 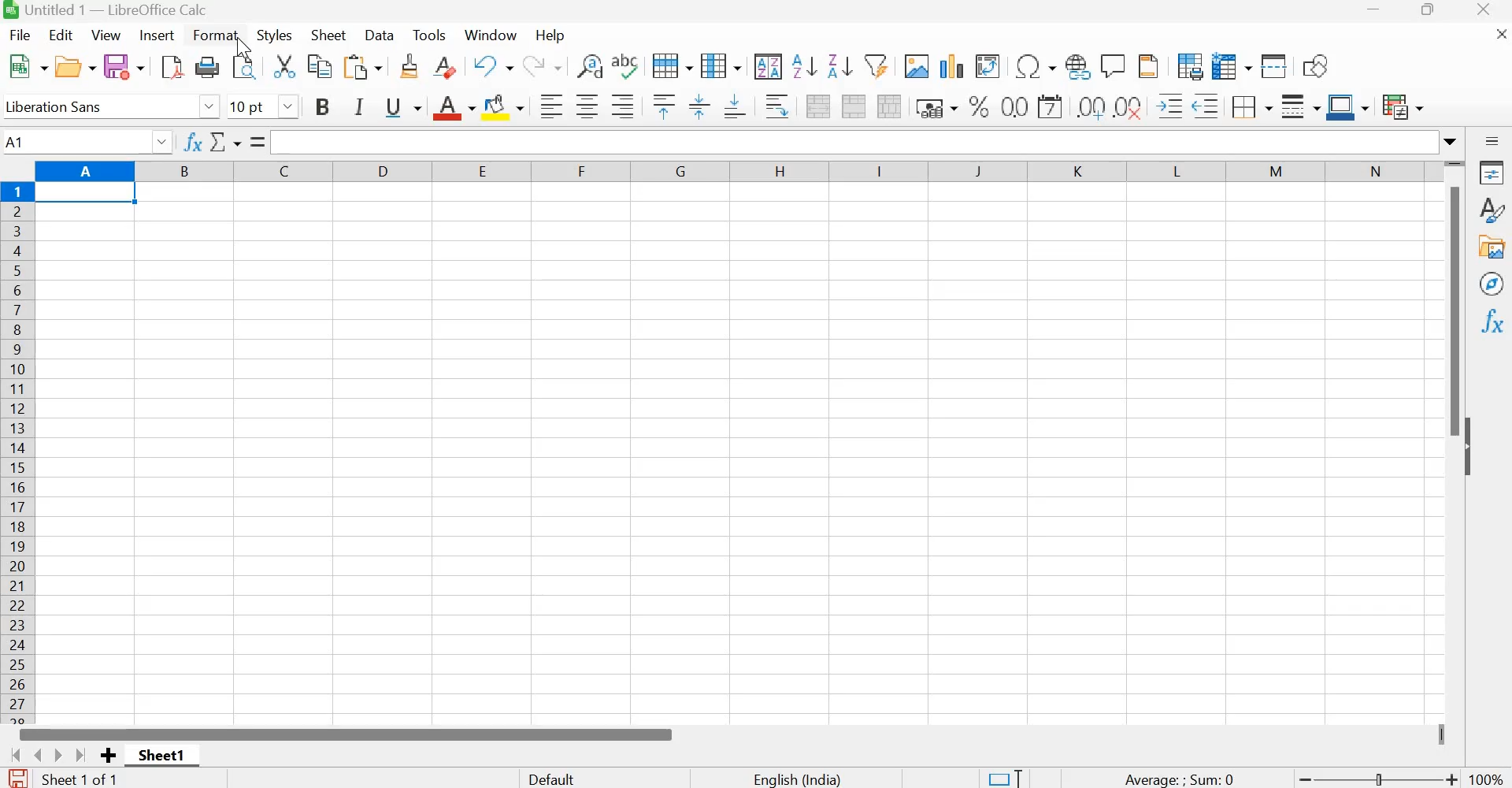 I want to click on Background color, so click(x=505, y=105).